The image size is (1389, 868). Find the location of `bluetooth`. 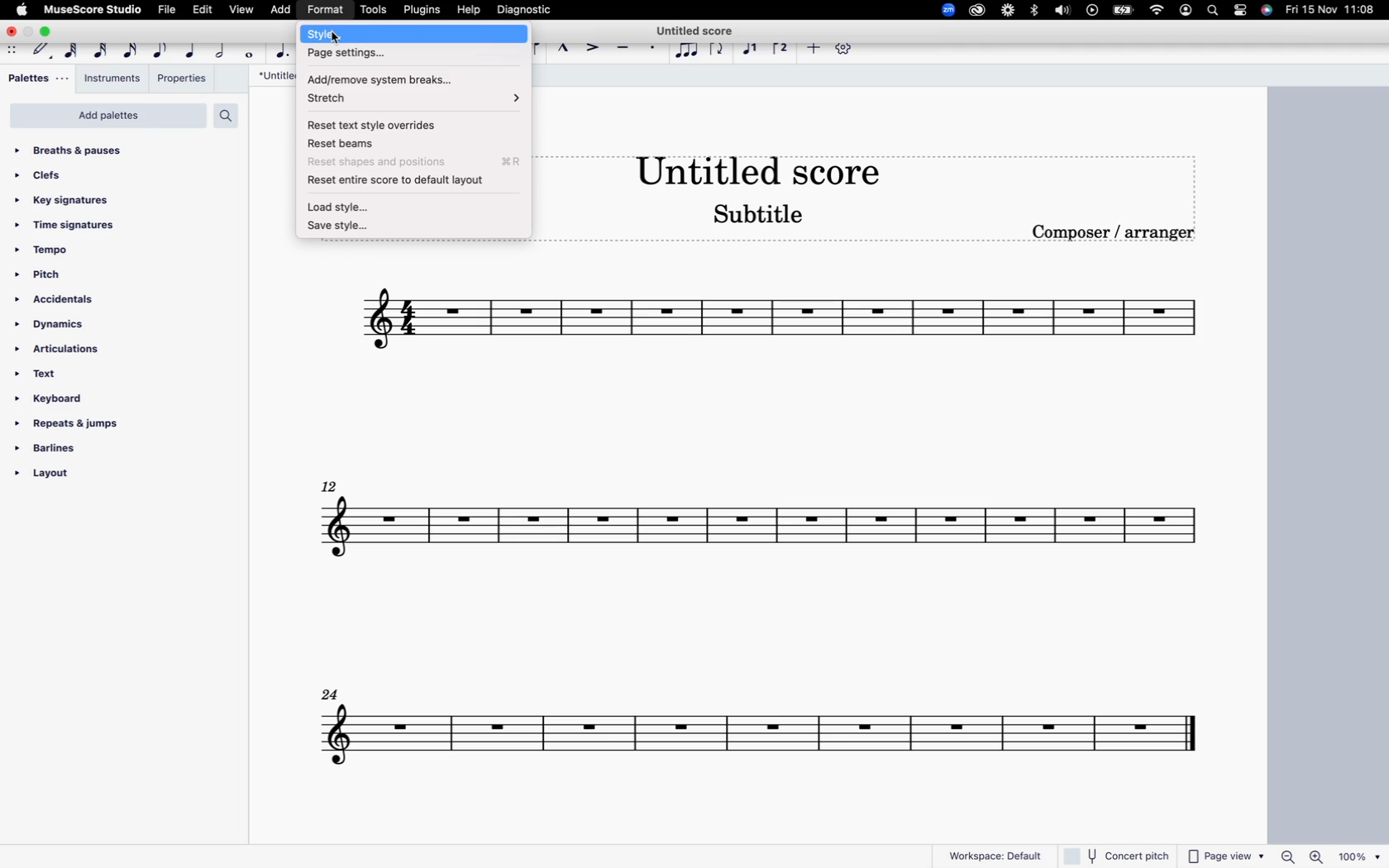

bluetooth is located at coordinates (1035, 12).